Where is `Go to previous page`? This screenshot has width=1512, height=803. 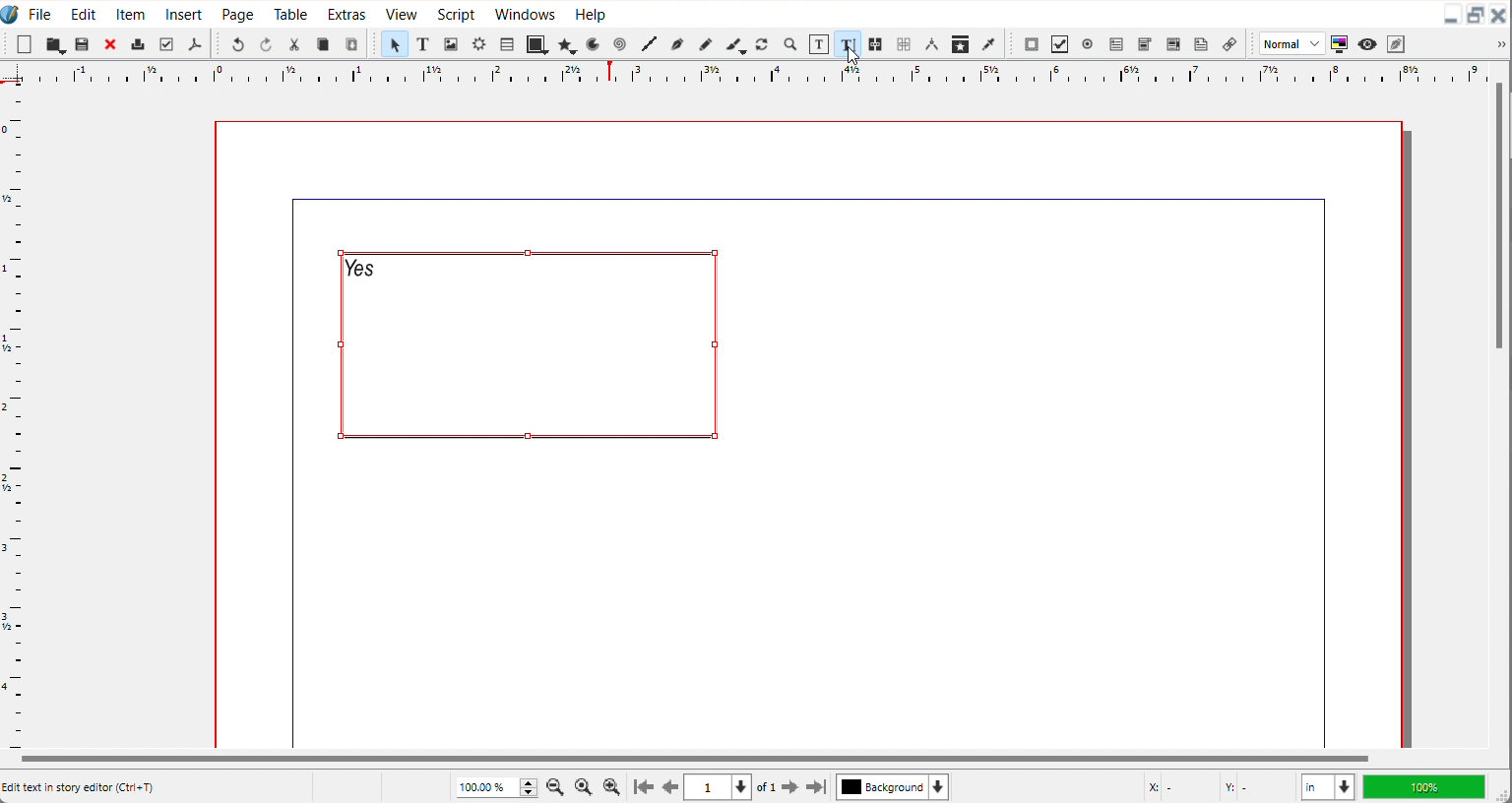
Go to previous page is located at coordinates (670, 787).